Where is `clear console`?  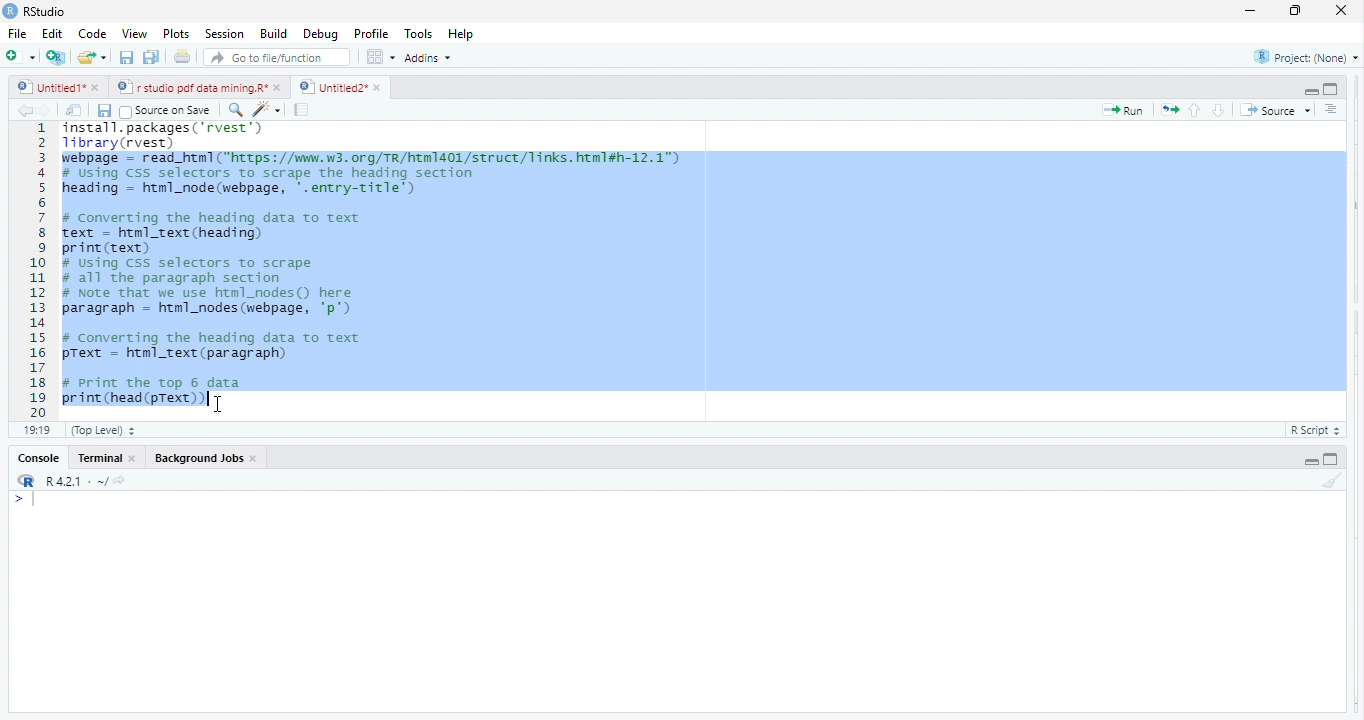
clear console is located at coordinates (1340, 478).